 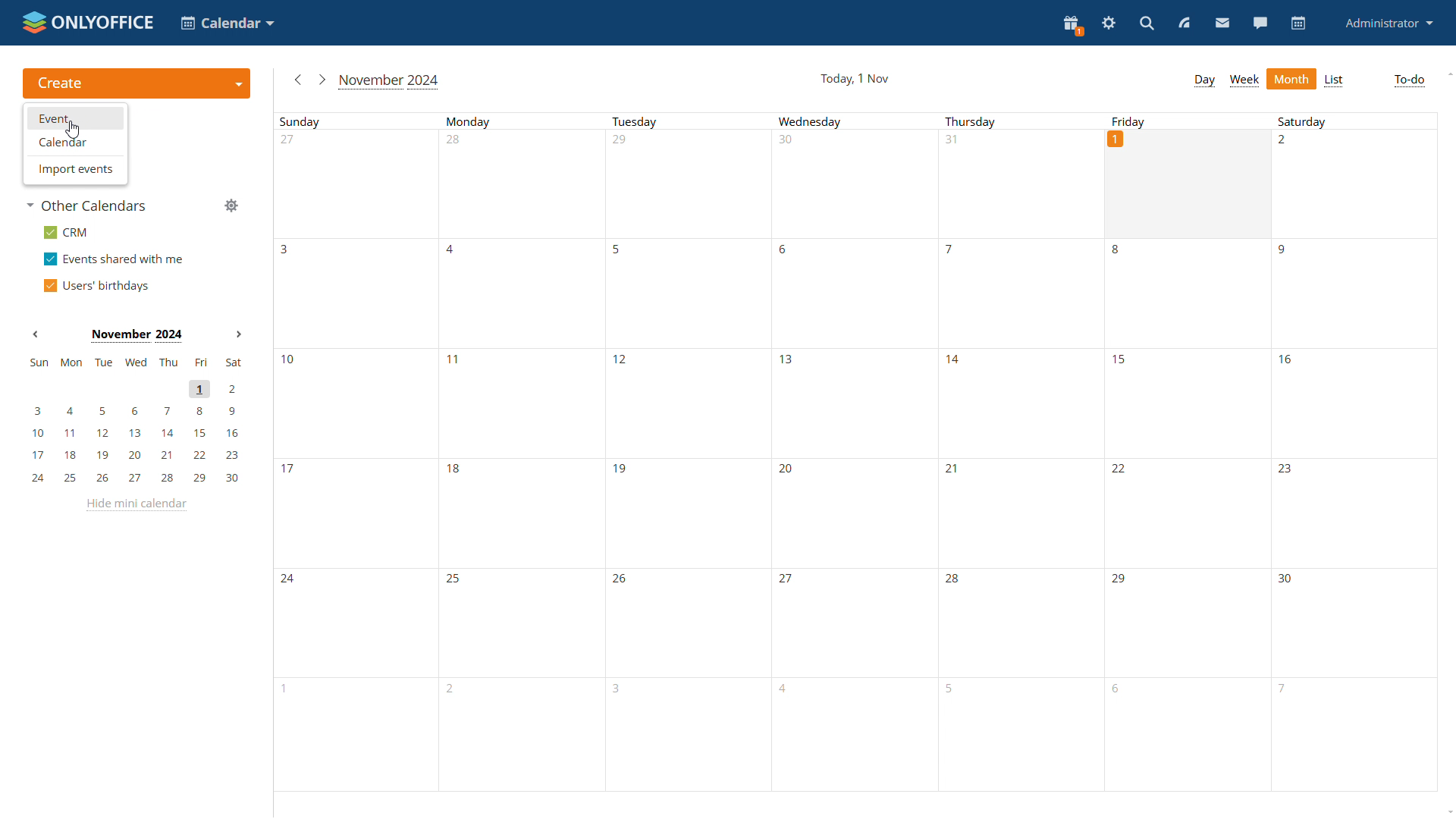 What do you see at coordinates (113, 259) in the screenshot?
I see `events shared with me` at bounding box center [113, 259].